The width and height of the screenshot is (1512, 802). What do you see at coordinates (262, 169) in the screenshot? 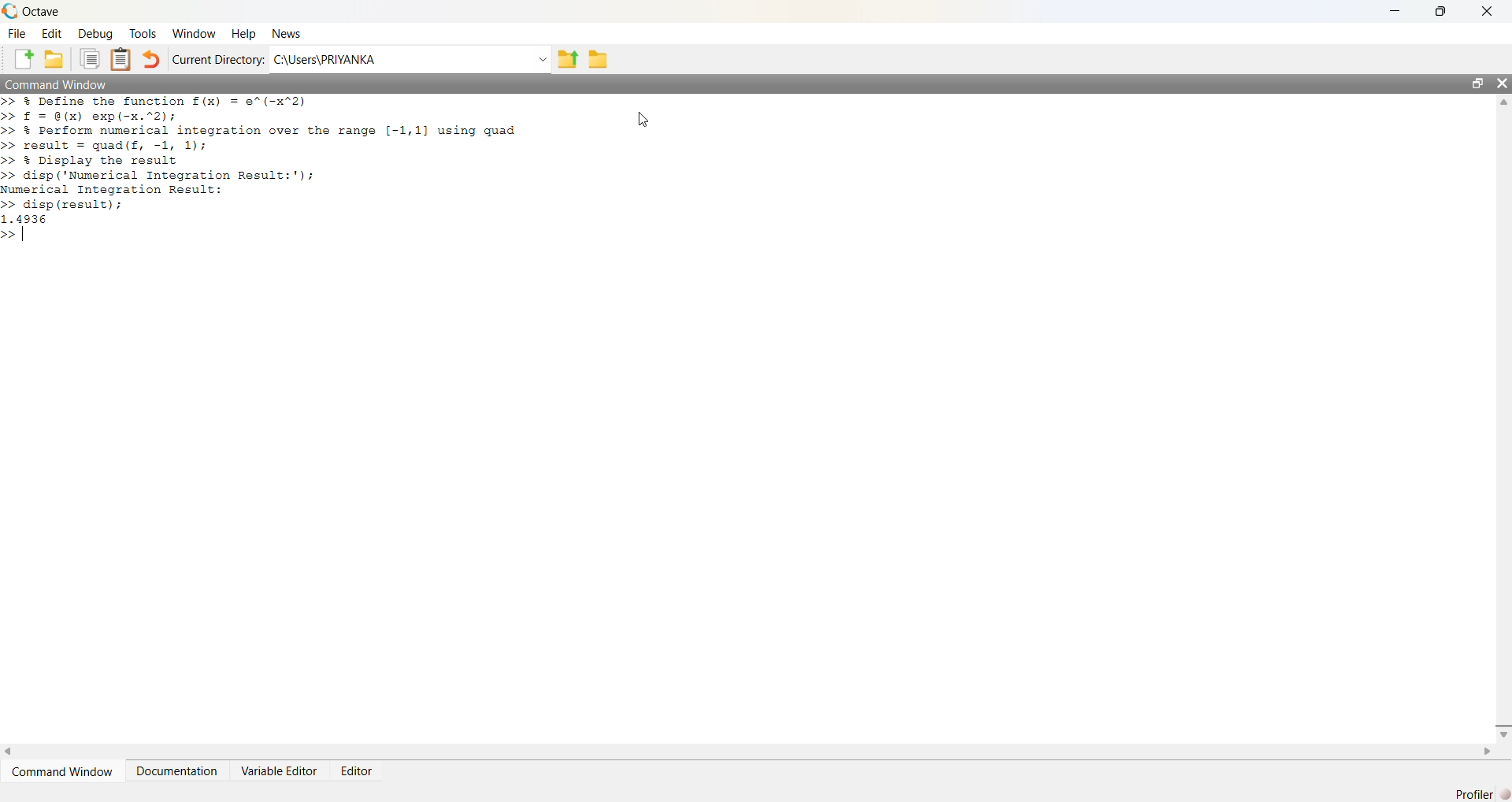
I see `>> % Define the function f(x) = e"(-x"2)

>> £ = @(x) exp(-x.72);

>> % Perform numerical integration over the range [-1,1] using quad
>> result = quad(f, -1, 1);

>> % Display the result

>> disp ('Numerical Integration Result:');

Numerical Integration Result:

>> disp (result);

1.4936

>> |` at bounding box center [262, 169].